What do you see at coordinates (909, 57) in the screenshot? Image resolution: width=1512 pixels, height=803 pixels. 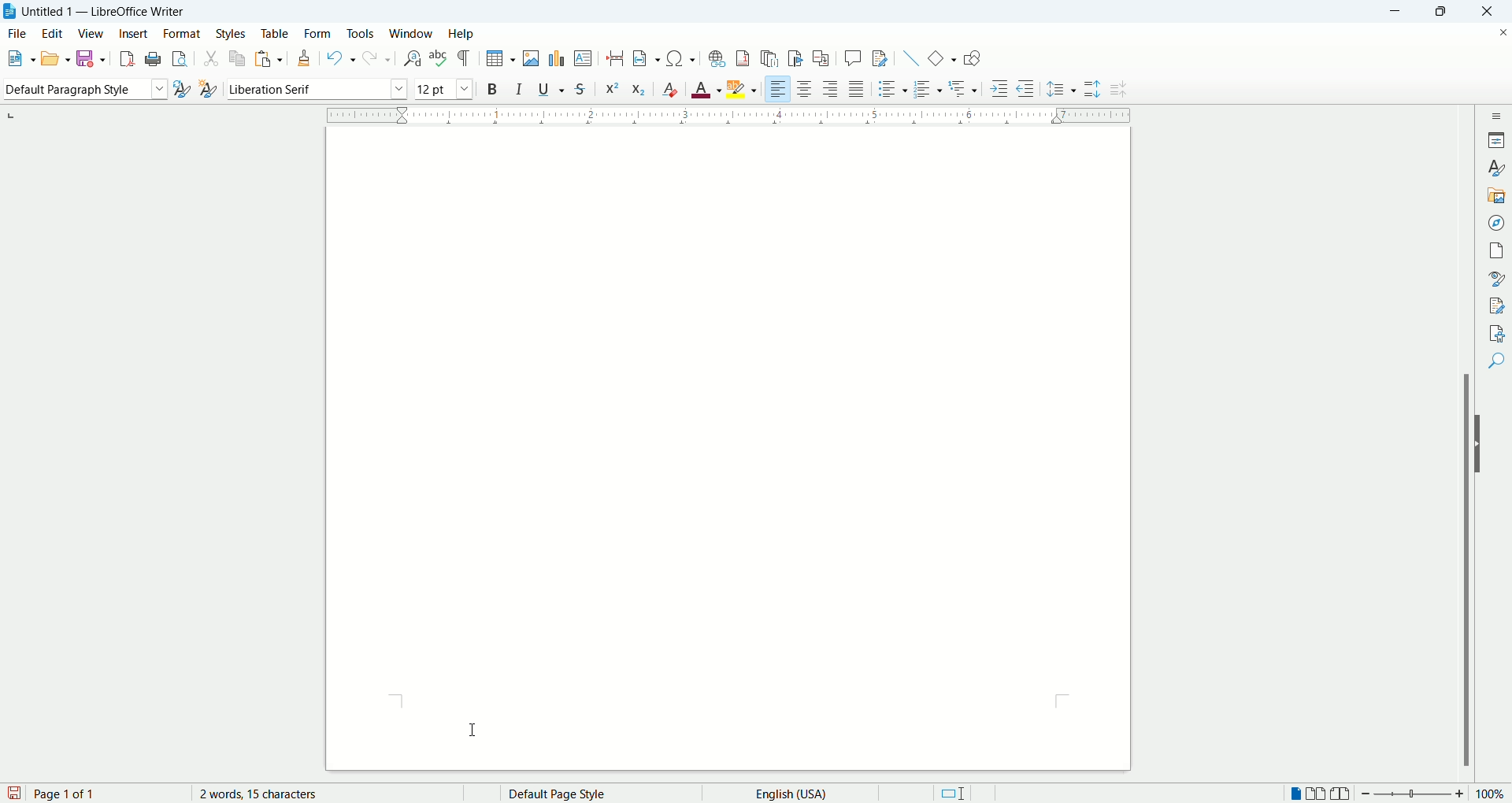 I see `insert line` at bounding box center [909, 57].